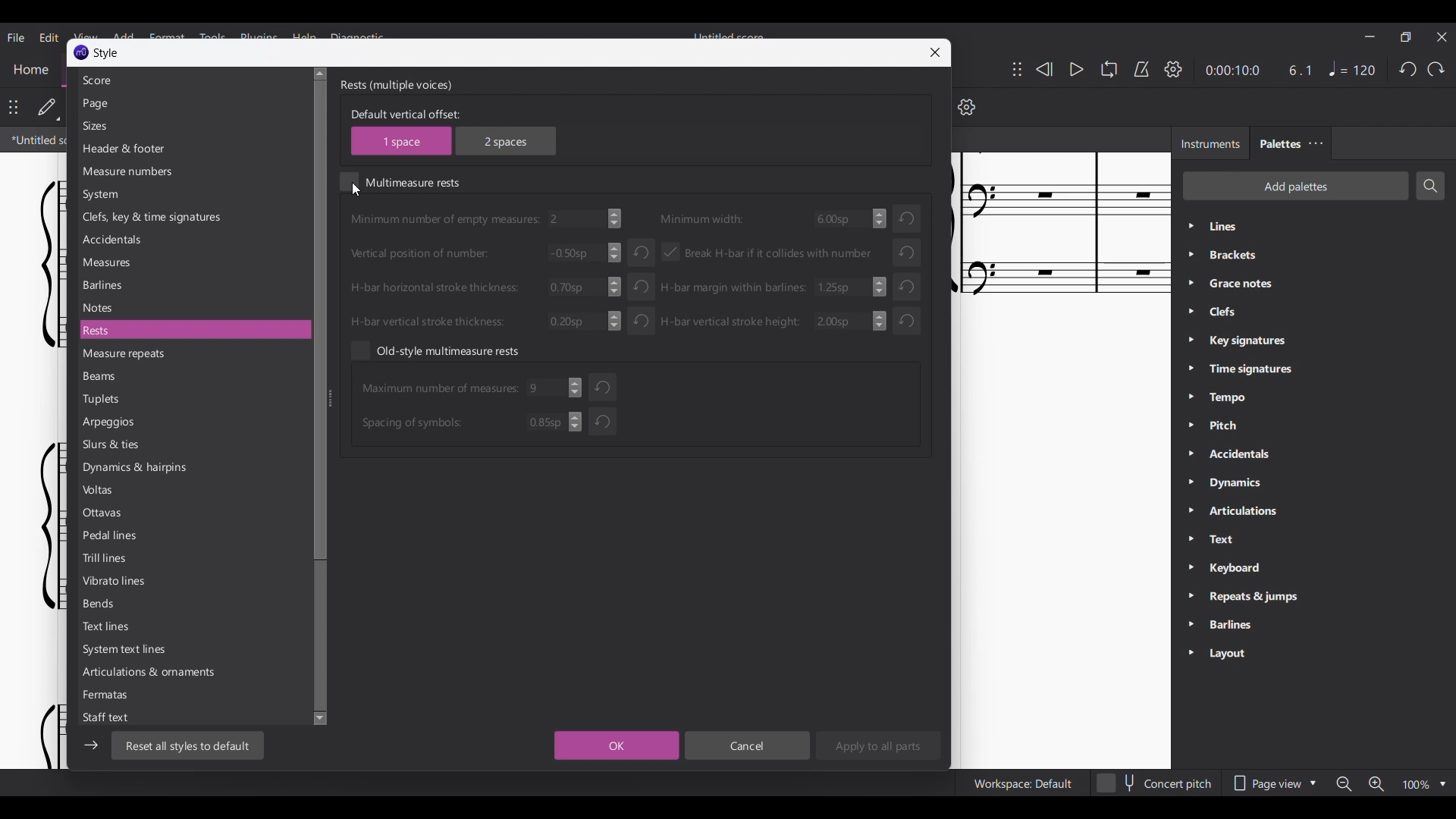 This screenshot has width=1456, height=819. What do you see at coordinates (192, 650) in the screenshot?
I see `System text lines` at bounding box center [192, 650].